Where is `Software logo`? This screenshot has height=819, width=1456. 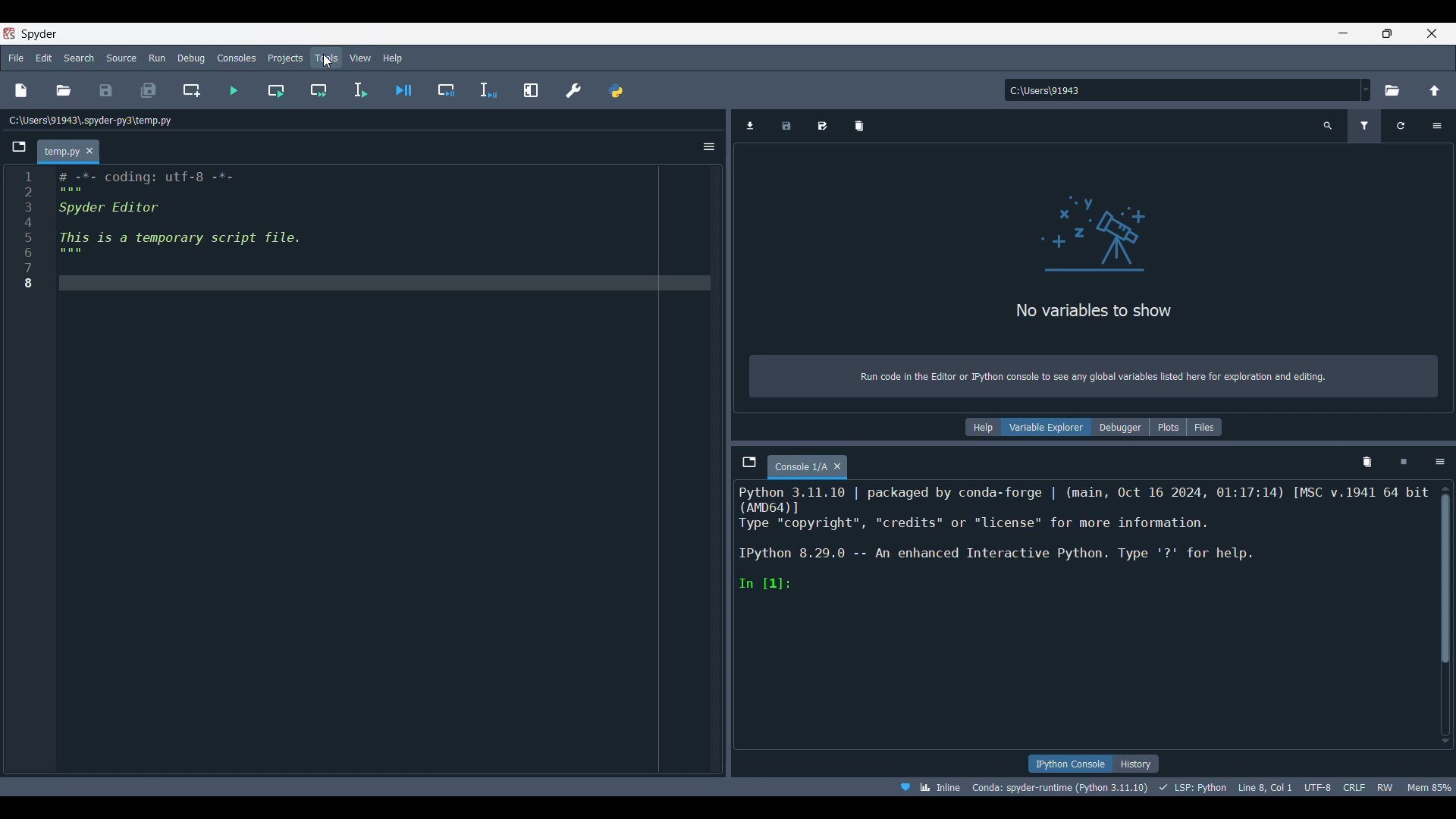 Software logo is located at coordinates (9, 33).